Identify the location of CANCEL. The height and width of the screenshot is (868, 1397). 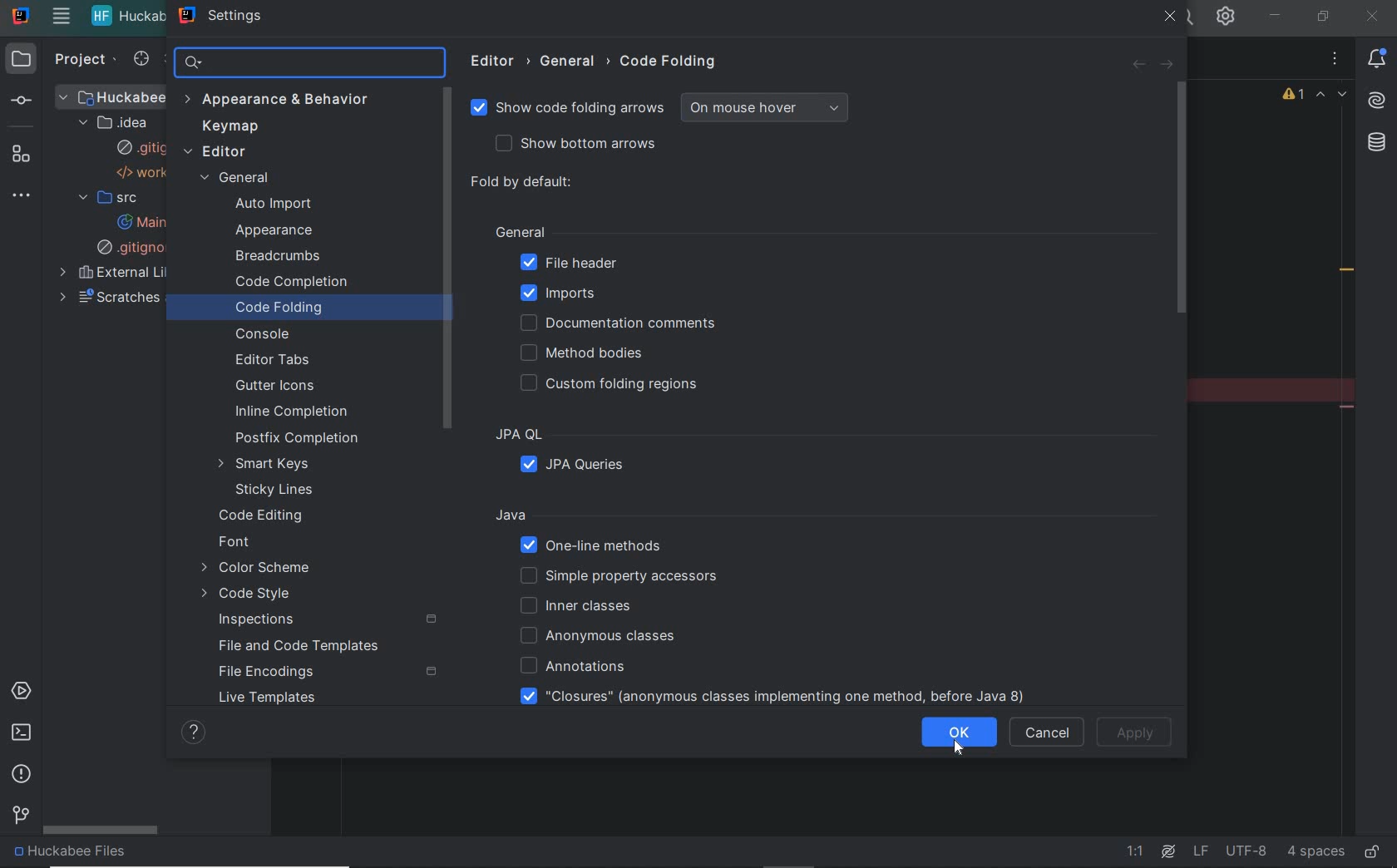
(1049, 737).